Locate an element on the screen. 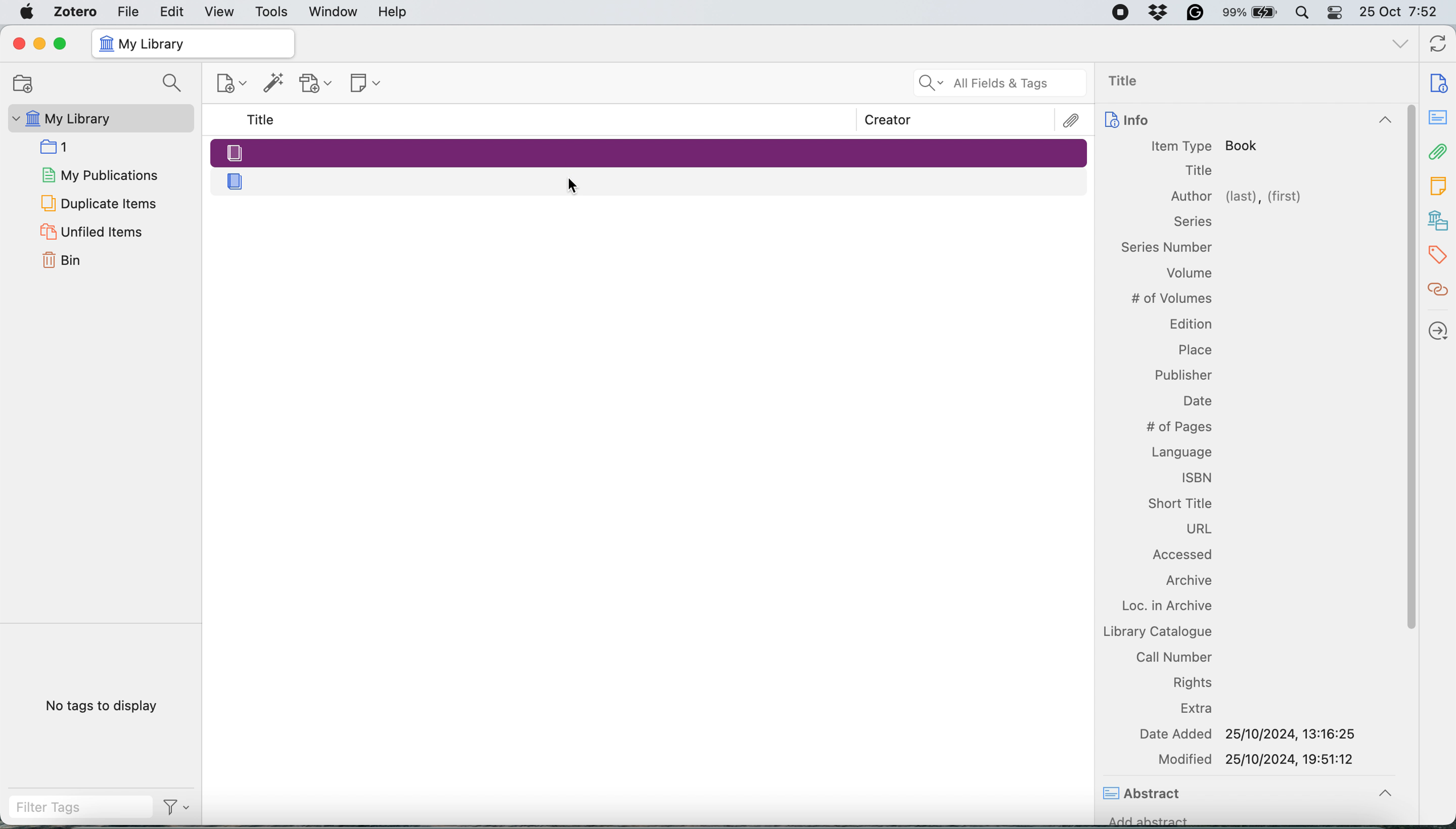 This screenshot has width=1456, height=829. Blank Entry 1 Selected is located at coordinates (648, 151).